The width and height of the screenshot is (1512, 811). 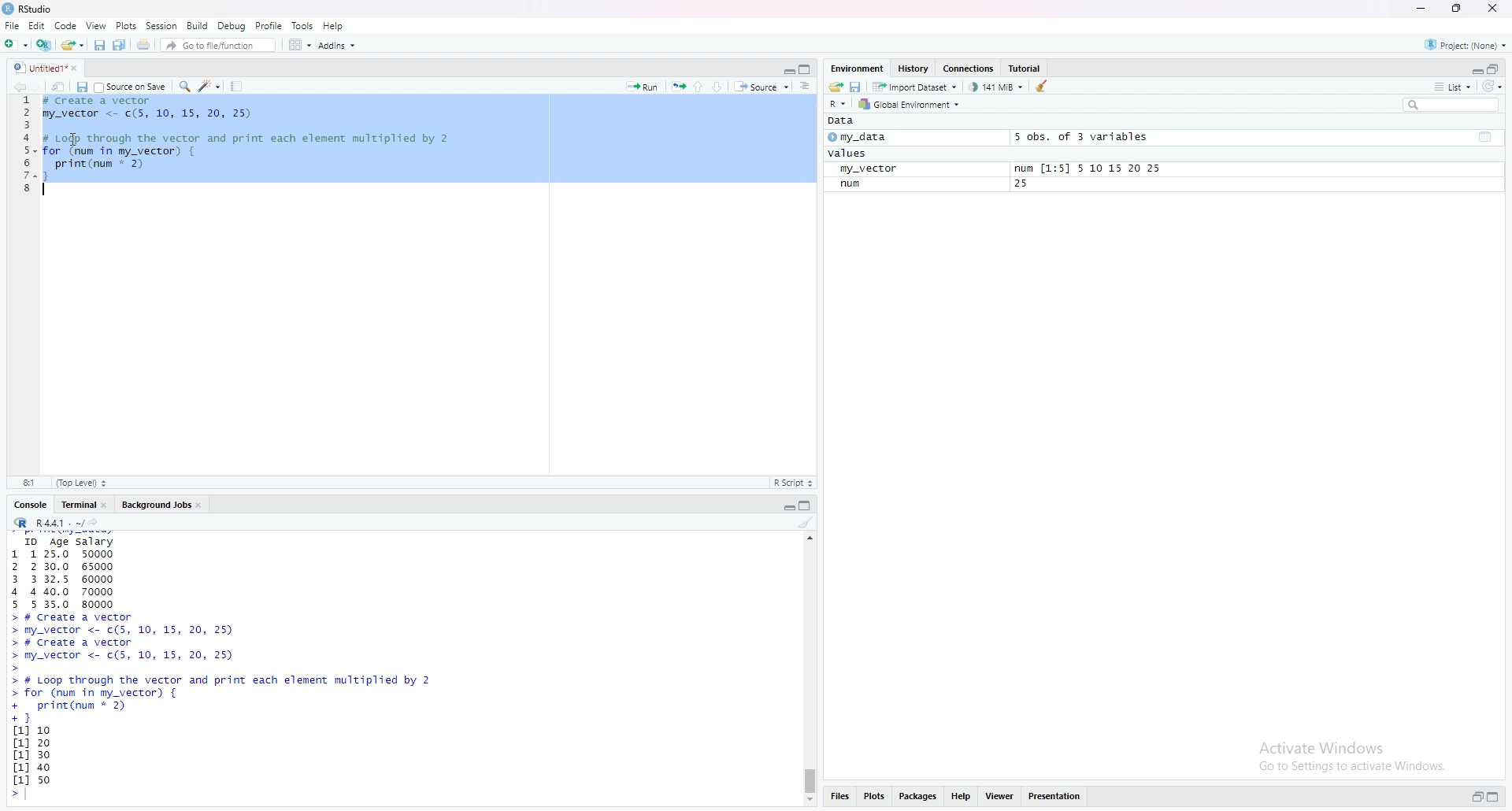 I want to click on tools, so click(x=303, y=24).